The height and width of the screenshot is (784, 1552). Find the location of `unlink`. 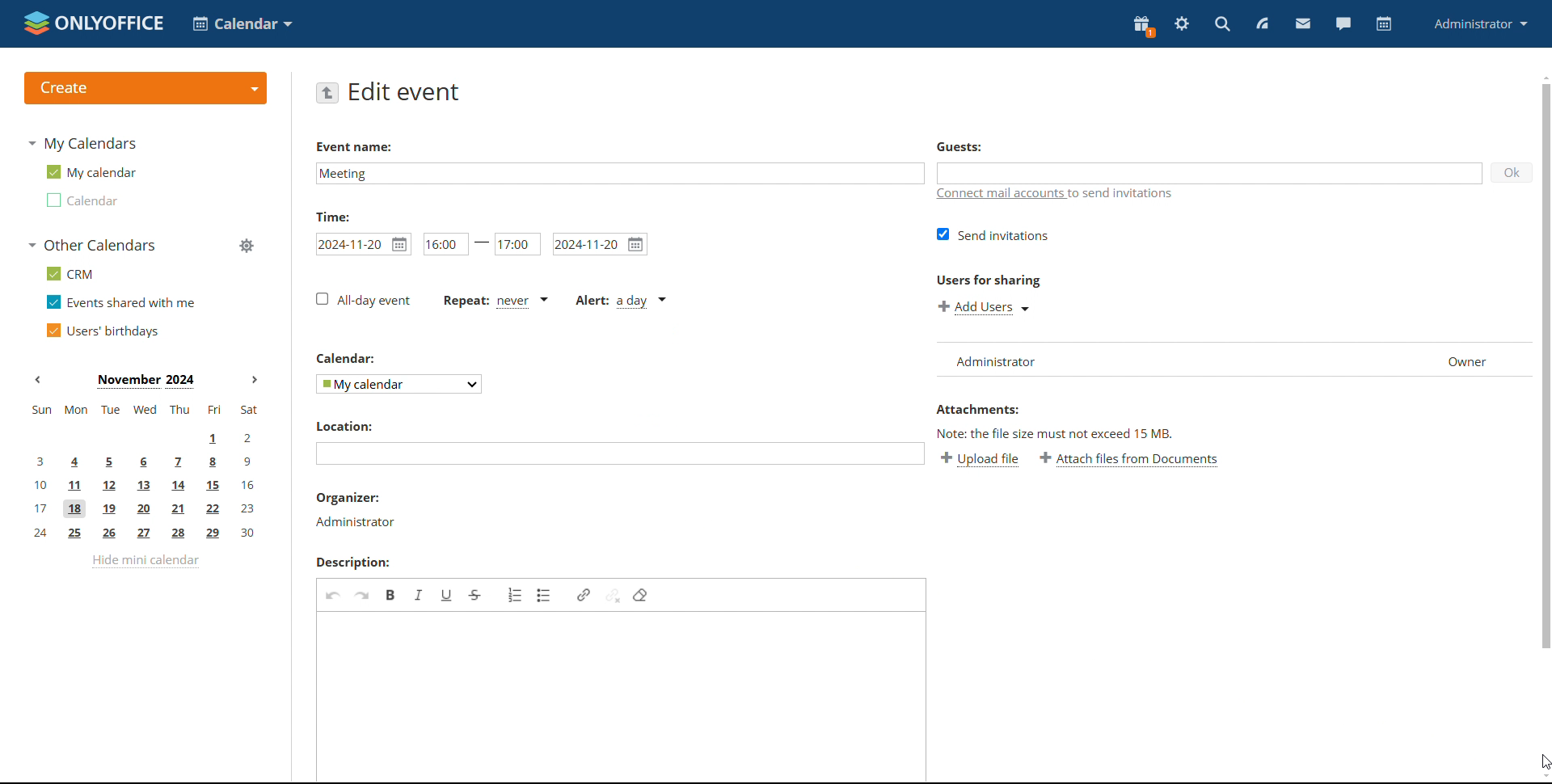

unlink is located at coordinates (614, 596).